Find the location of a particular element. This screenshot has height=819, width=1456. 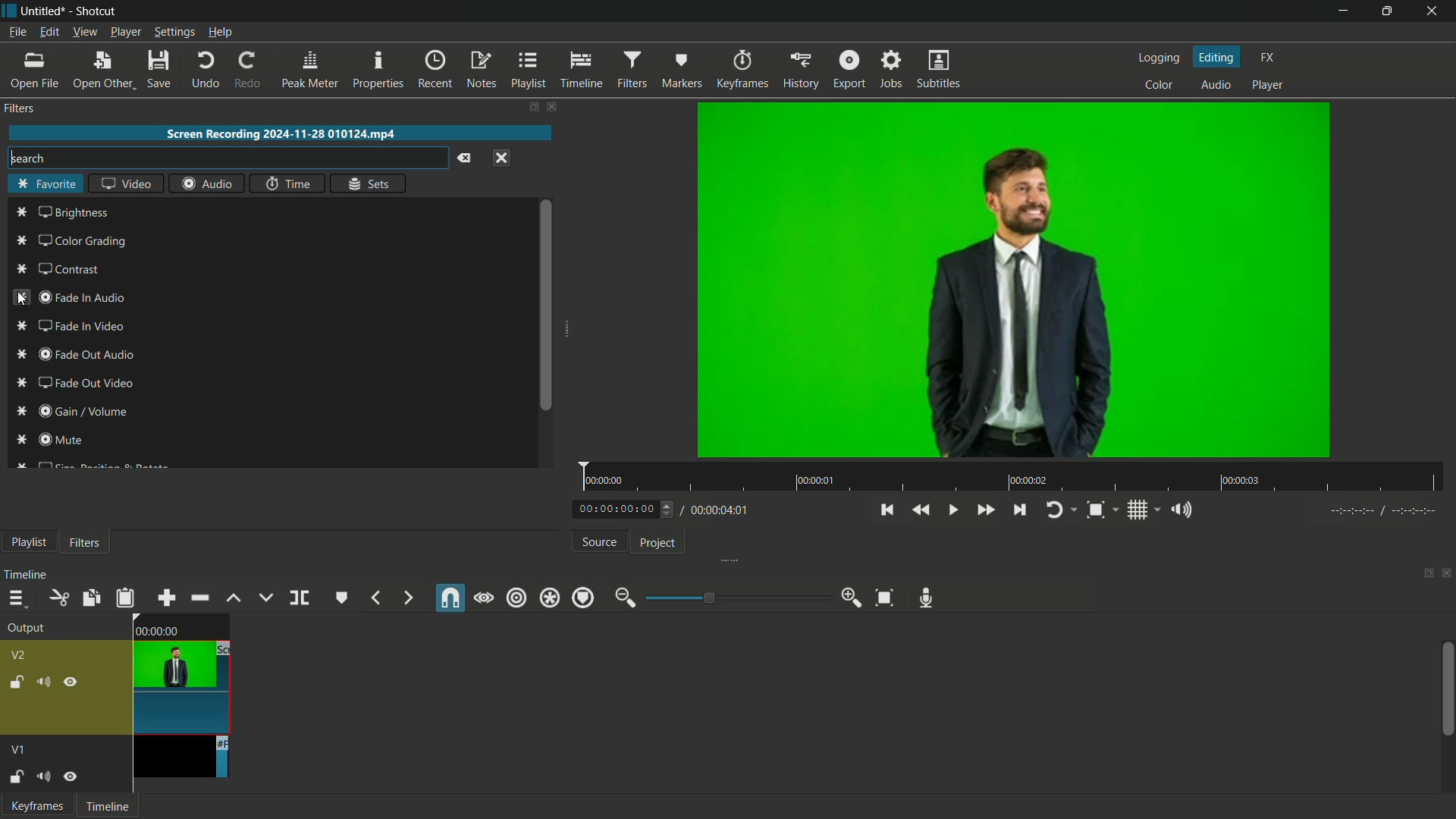

zoom timeline to fit is located at coordinates (883, 598).